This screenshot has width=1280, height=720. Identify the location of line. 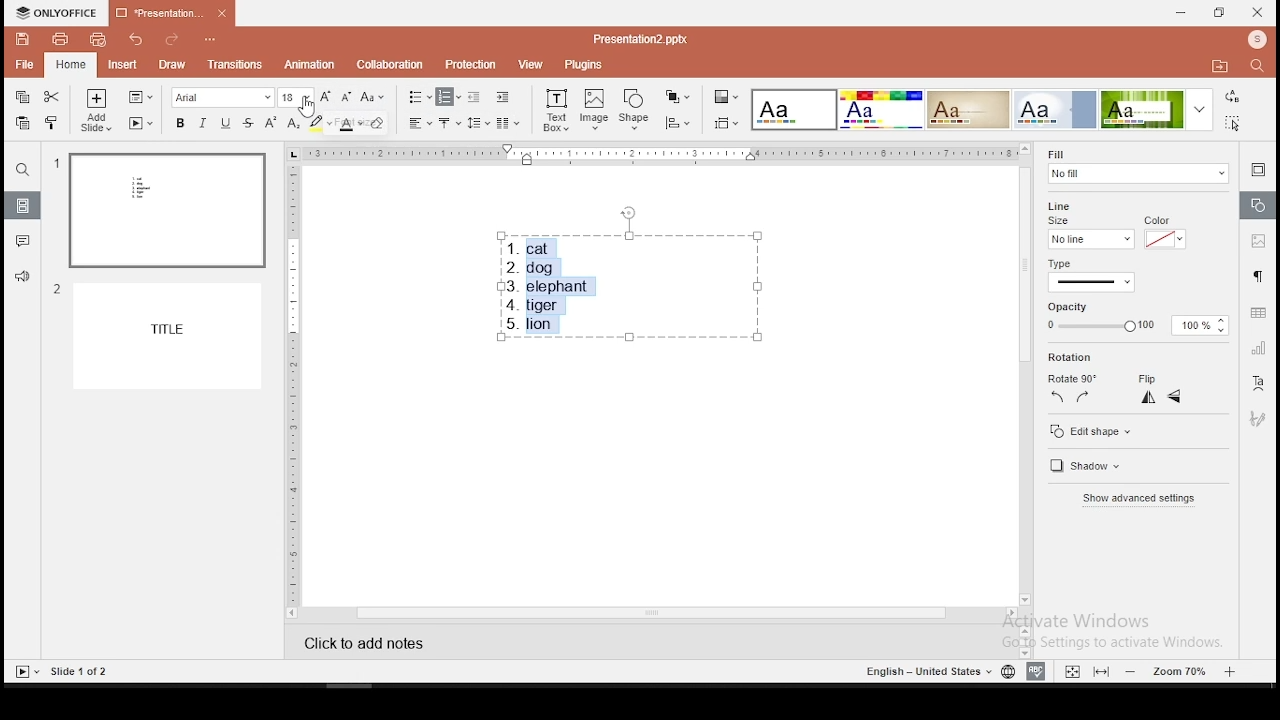
(1068, 201).